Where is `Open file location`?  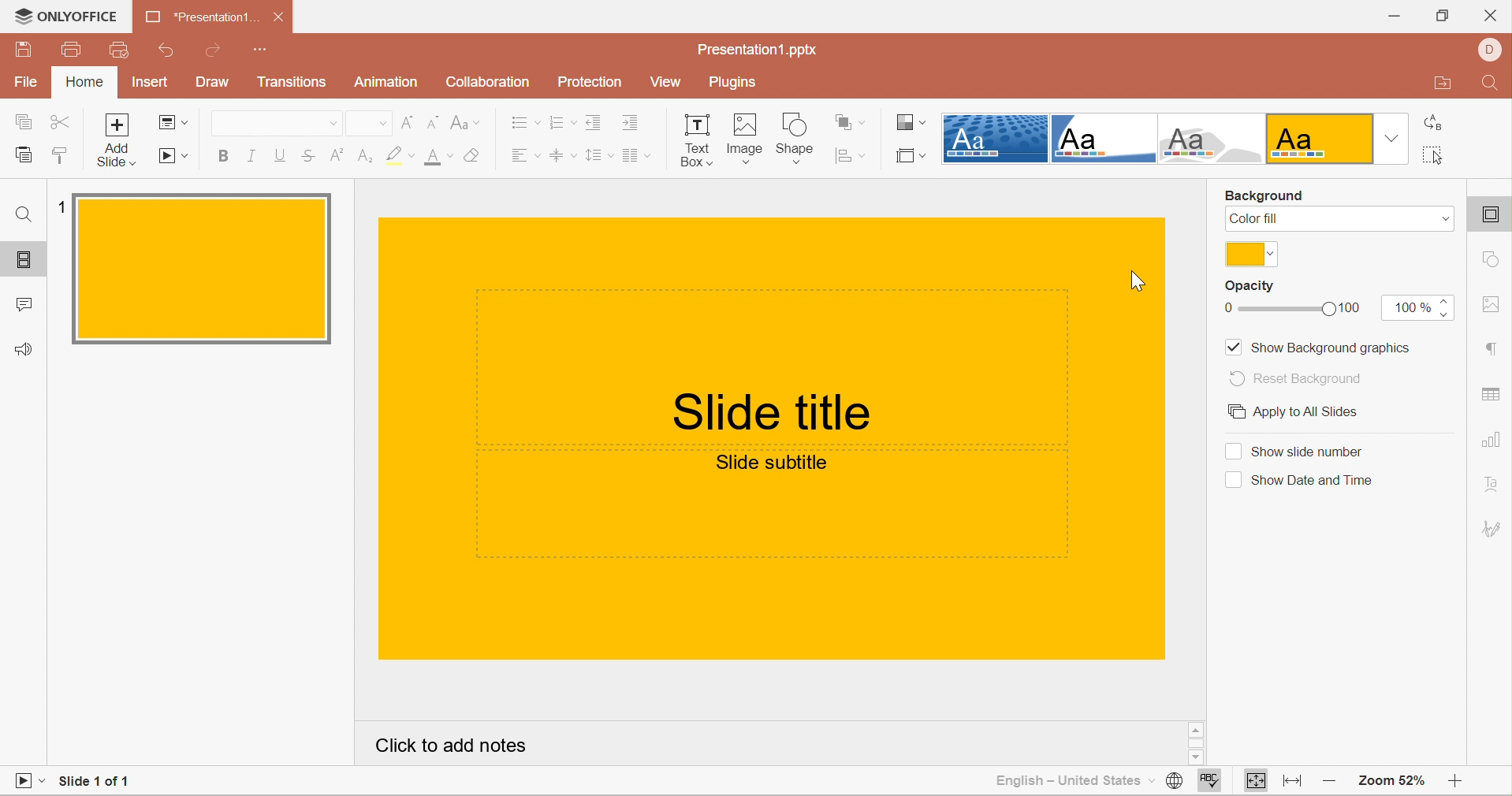 Open file location is located at coordinates (1443, 85).